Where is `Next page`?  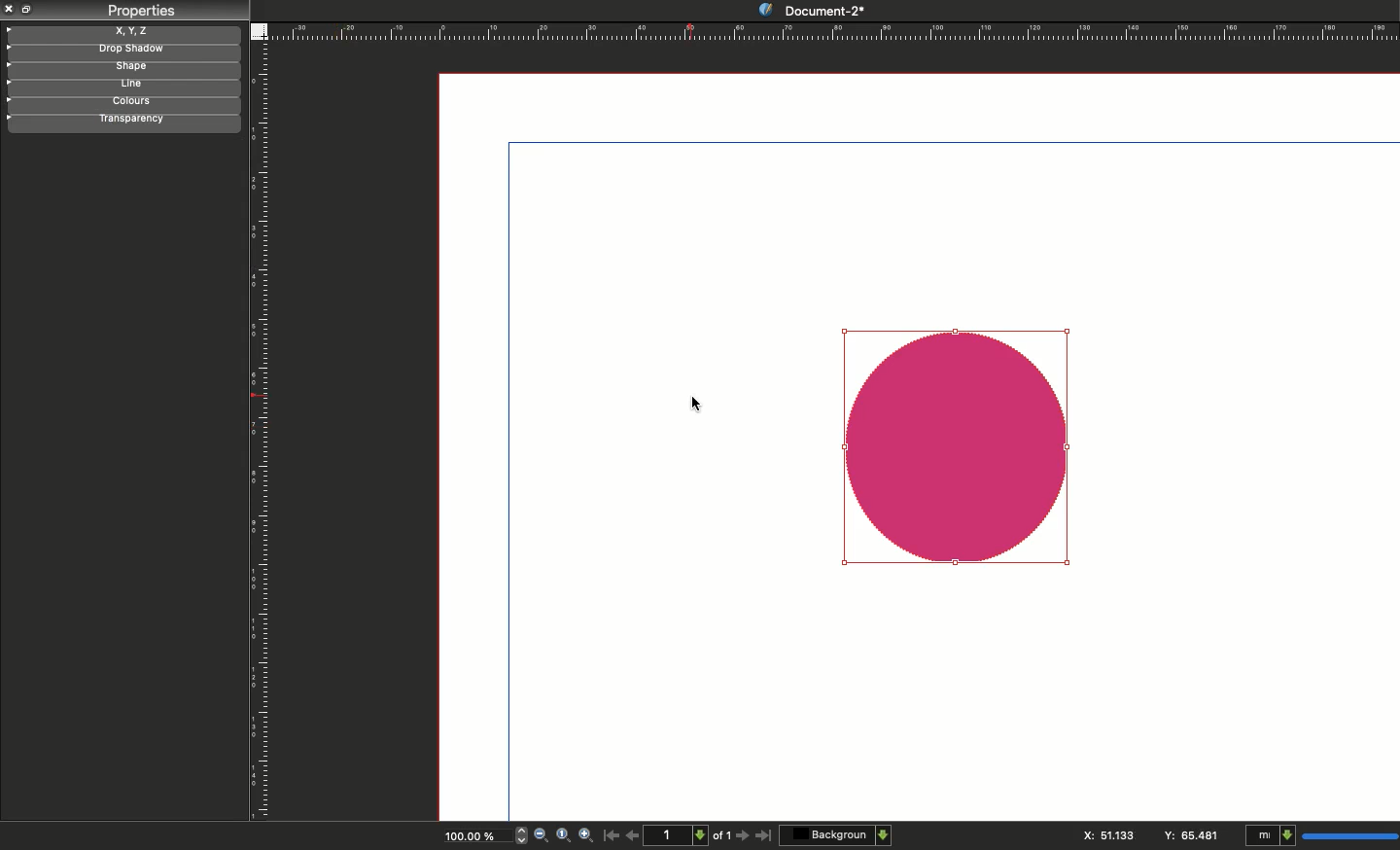
Next page is located at coordinates (745, 836).